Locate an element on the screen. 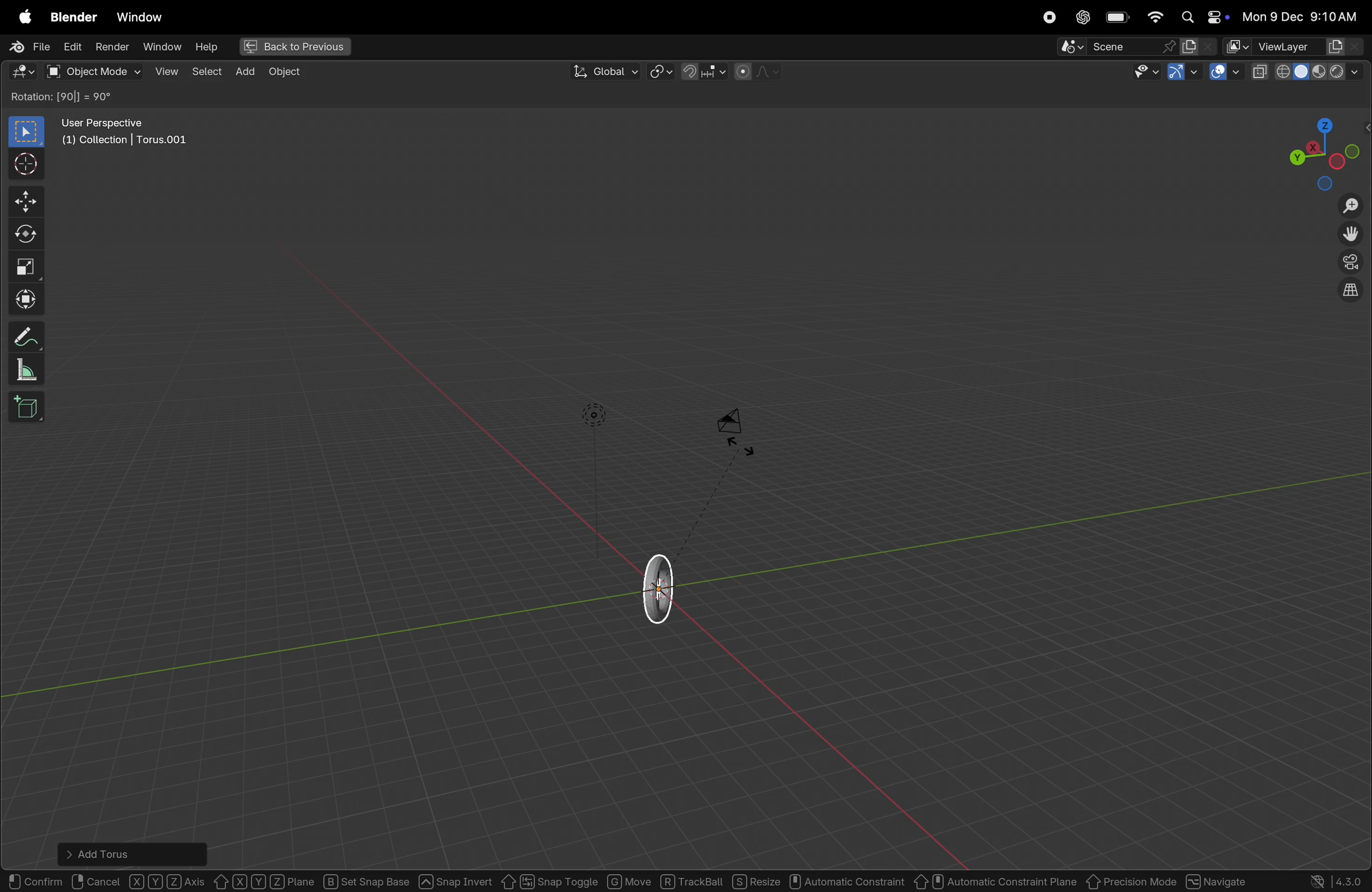 The width and height of the screenshot is (1372, 892). snap is located at coordinates (702, 71).